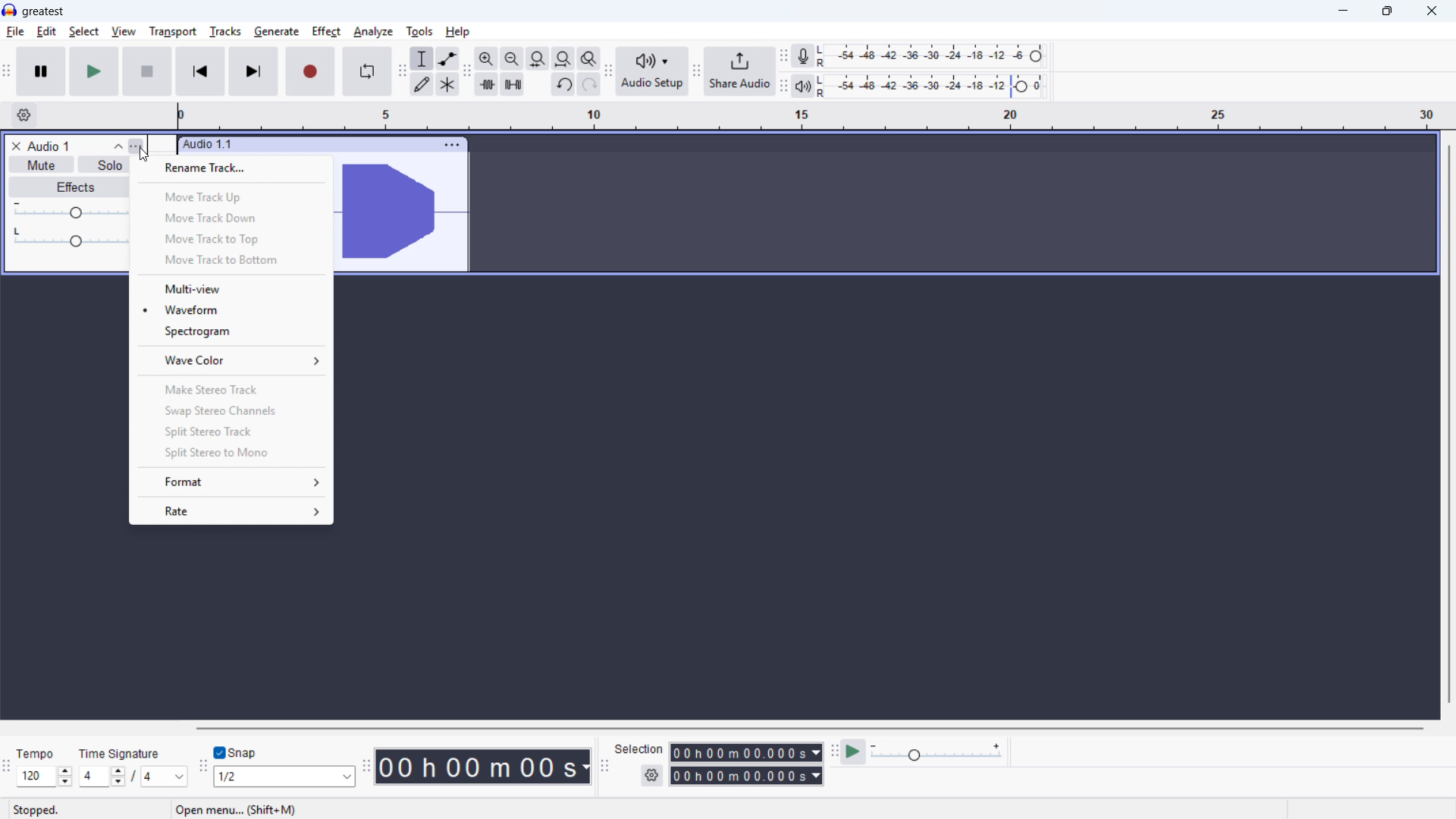  Describe the element at coordinates (484, 767) in the screenshot. I see `Timestamp ` at that location.